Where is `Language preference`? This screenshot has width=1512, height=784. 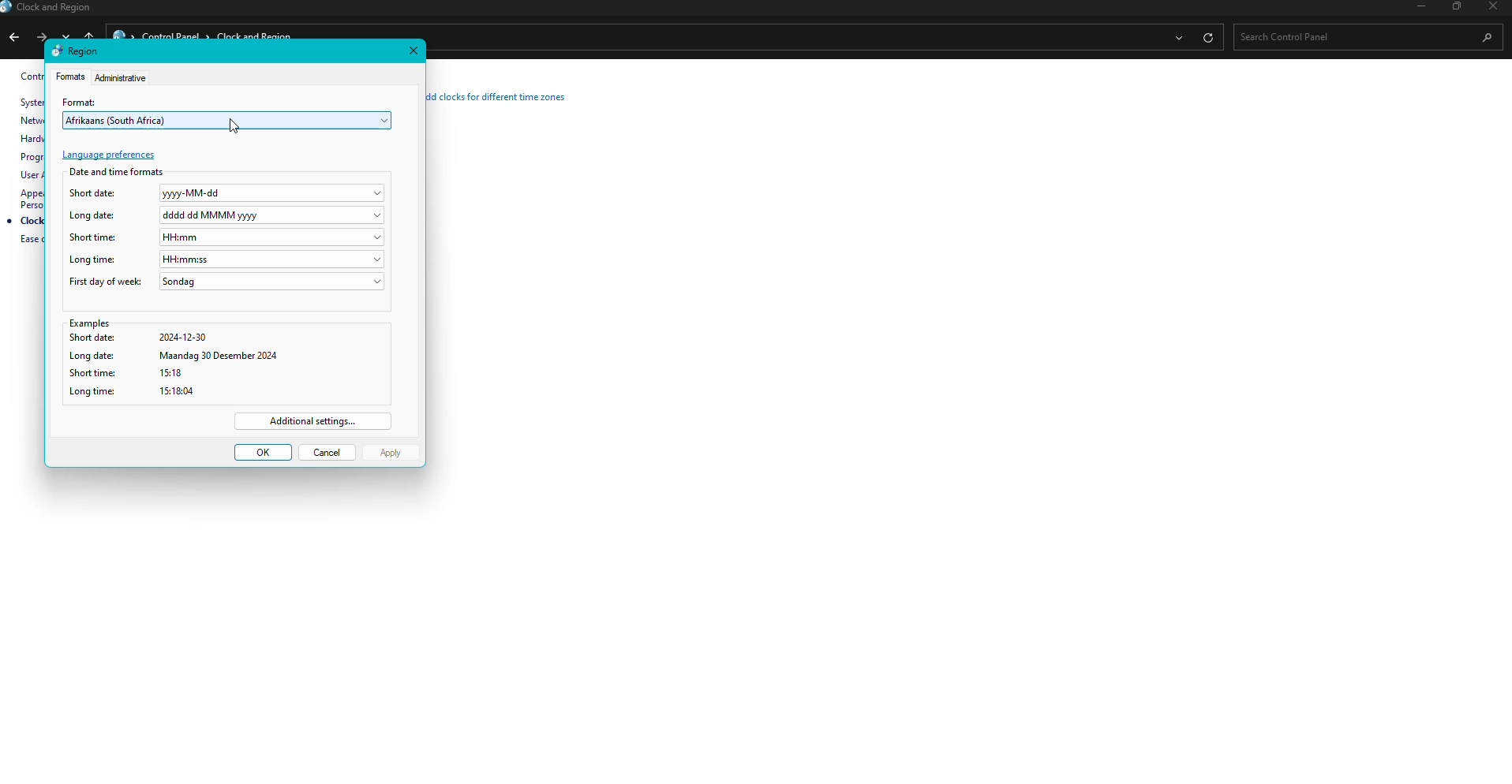 Language preference is located at coordinates (110, 155).